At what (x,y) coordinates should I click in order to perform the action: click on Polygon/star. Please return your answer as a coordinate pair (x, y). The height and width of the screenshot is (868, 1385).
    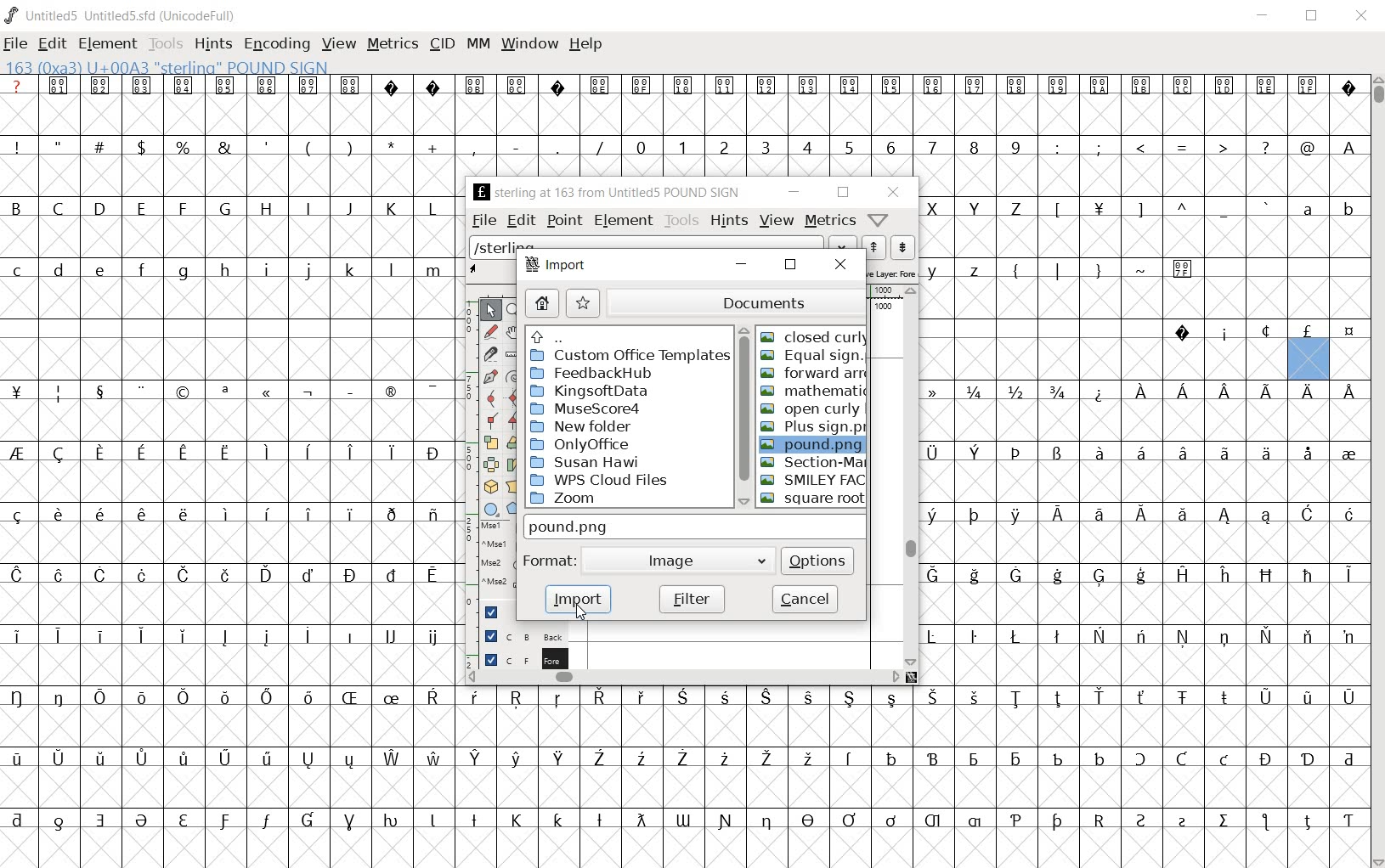
    Looking at the image, I should click on (516, 509).